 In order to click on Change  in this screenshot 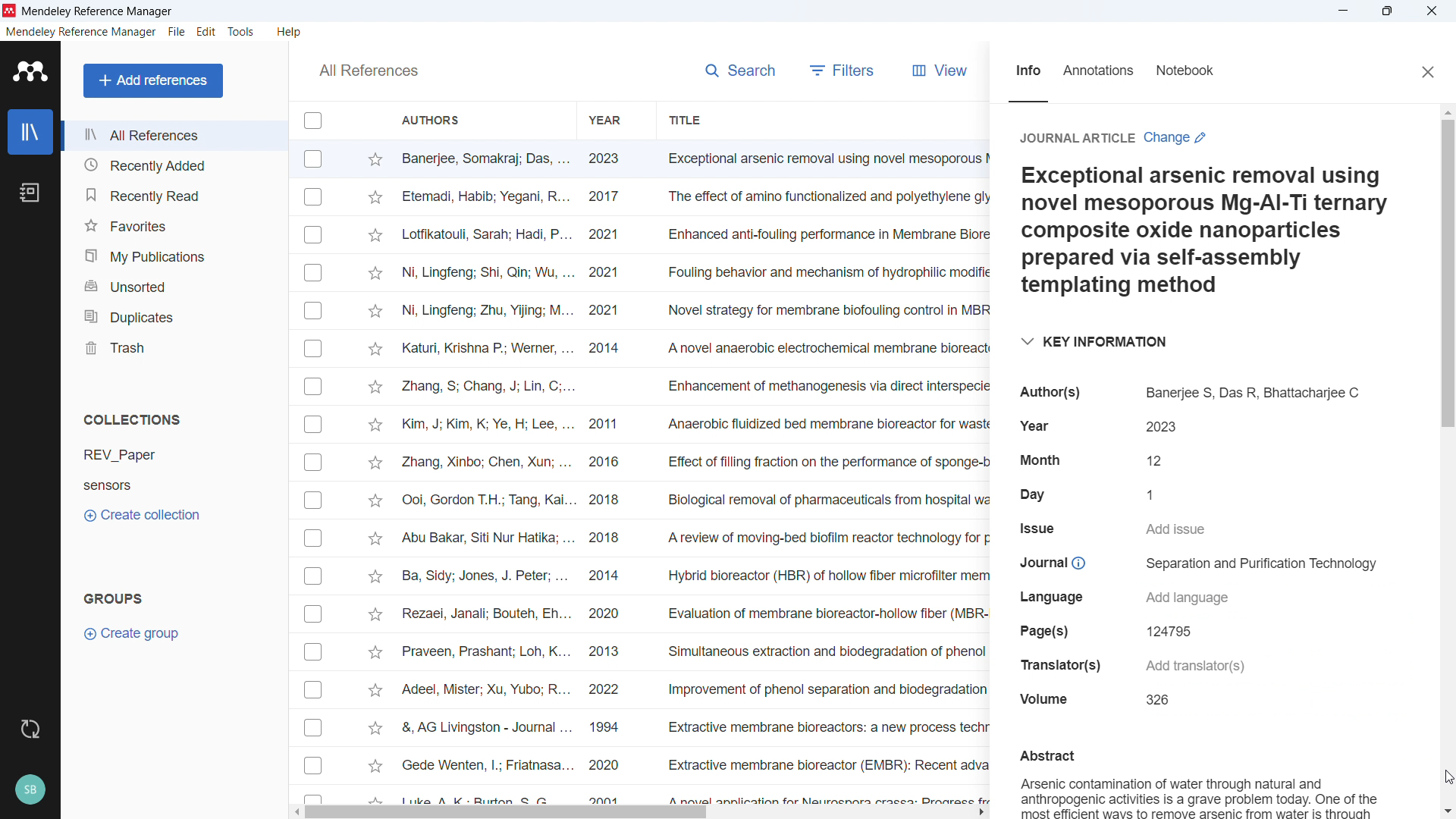, I will do `click(1176, 138)`.